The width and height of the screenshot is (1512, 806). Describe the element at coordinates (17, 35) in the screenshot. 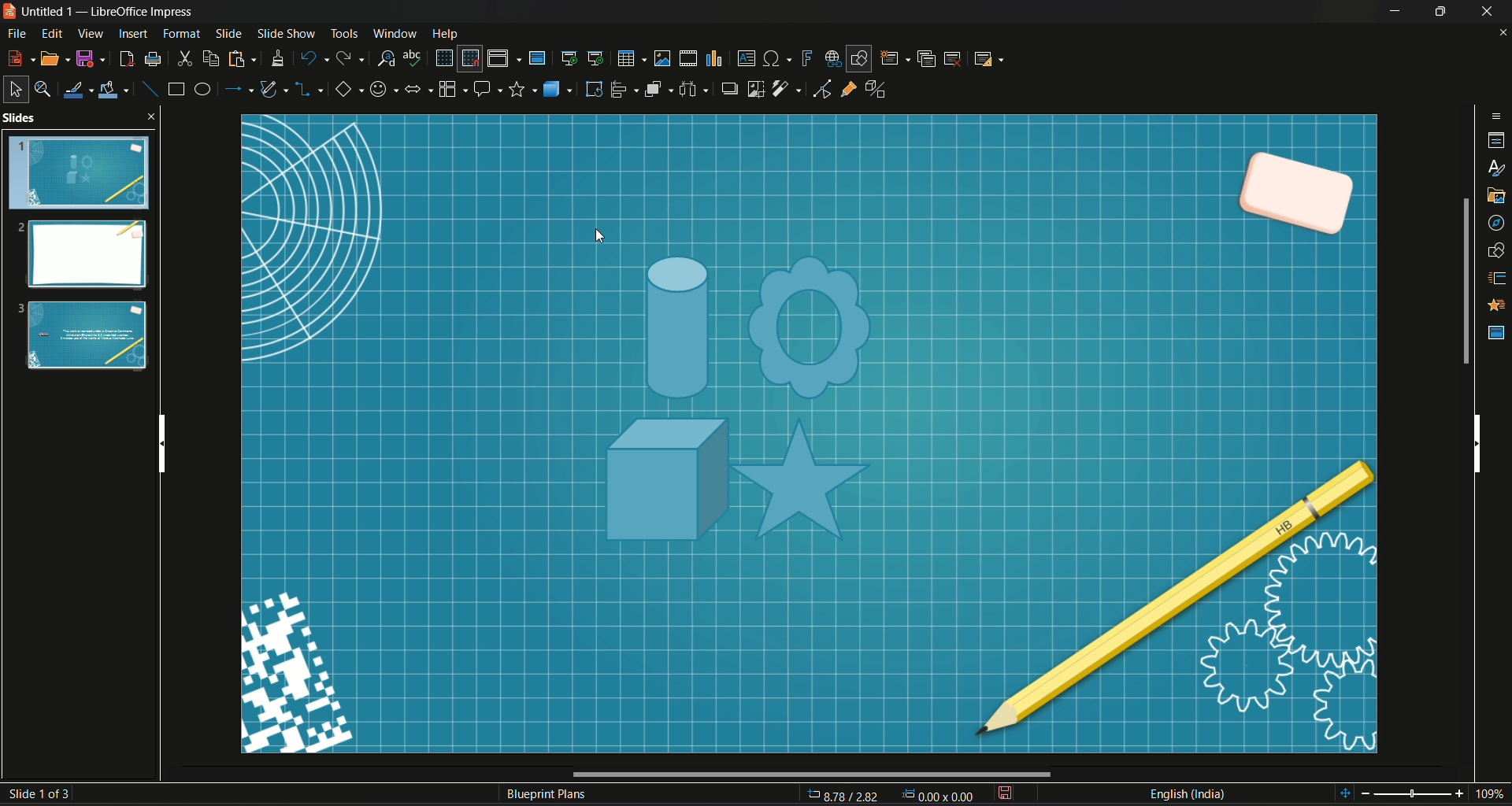

I see `File` at that location.